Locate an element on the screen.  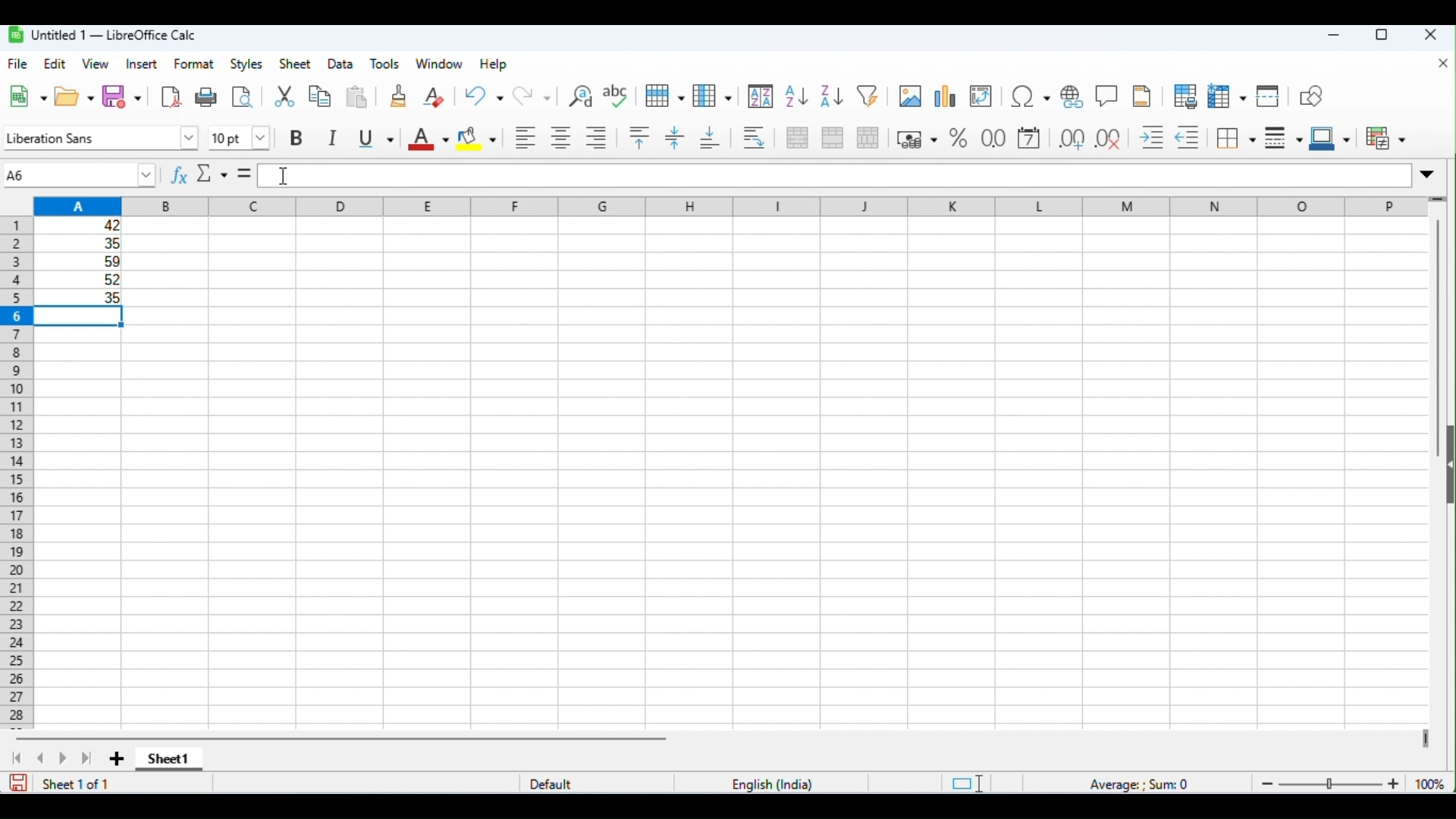
delete decimal place is located at coordinates (1109, 137).